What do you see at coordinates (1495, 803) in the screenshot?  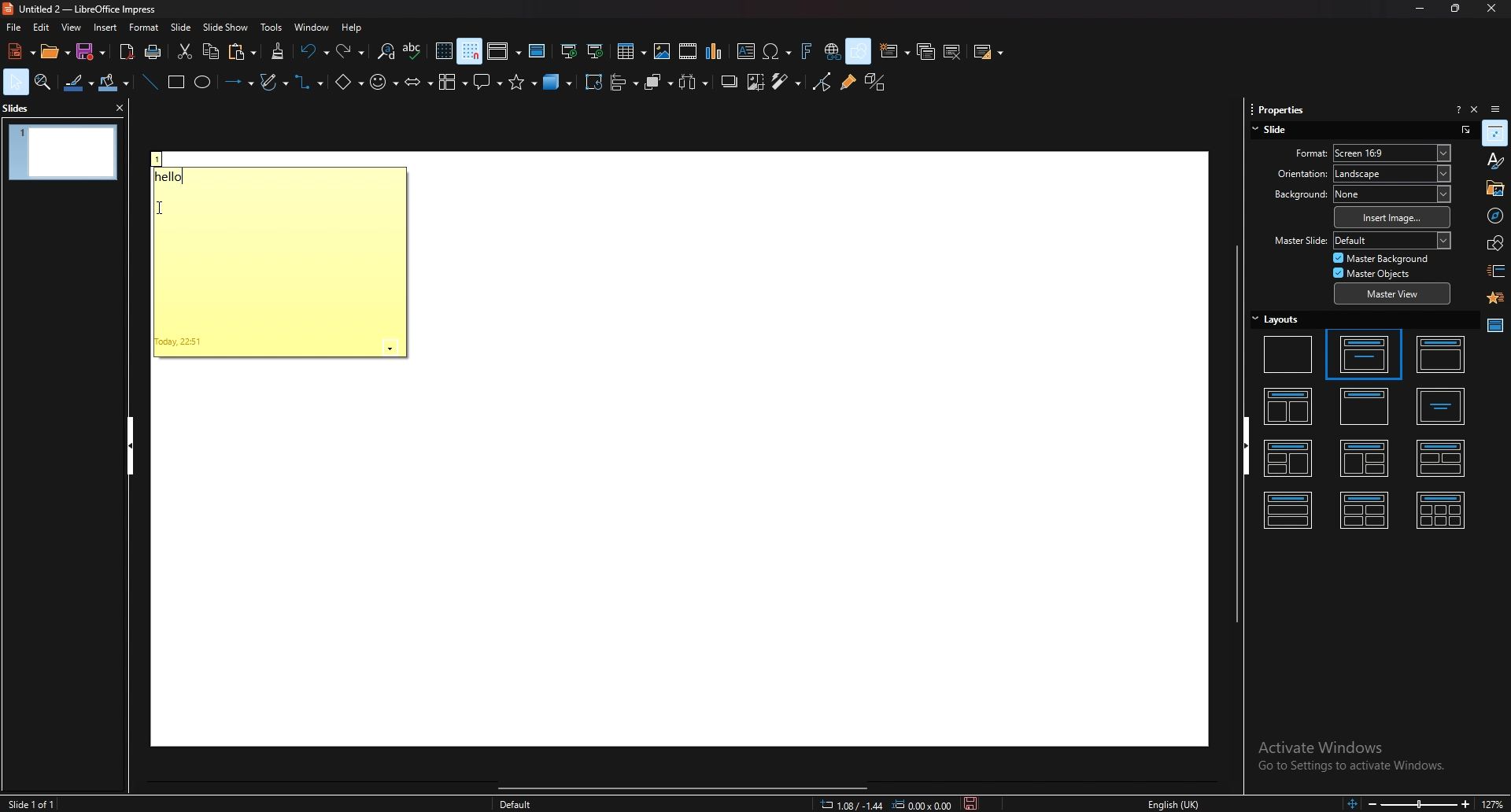 I see `zoom percentage 127%` at bounding box center [1495, 803].